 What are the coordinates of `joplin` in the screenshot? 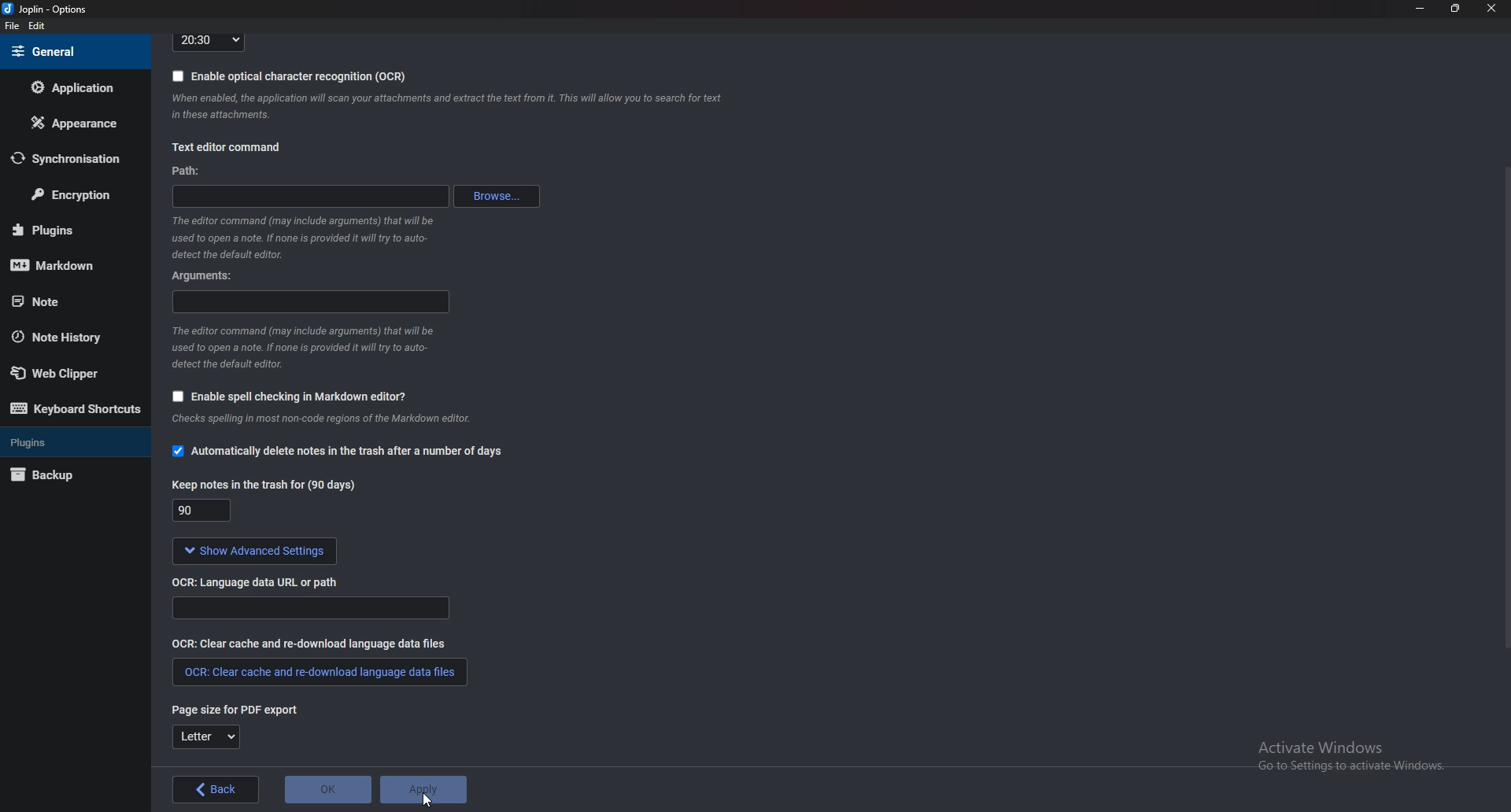 It's located at (48, 10).